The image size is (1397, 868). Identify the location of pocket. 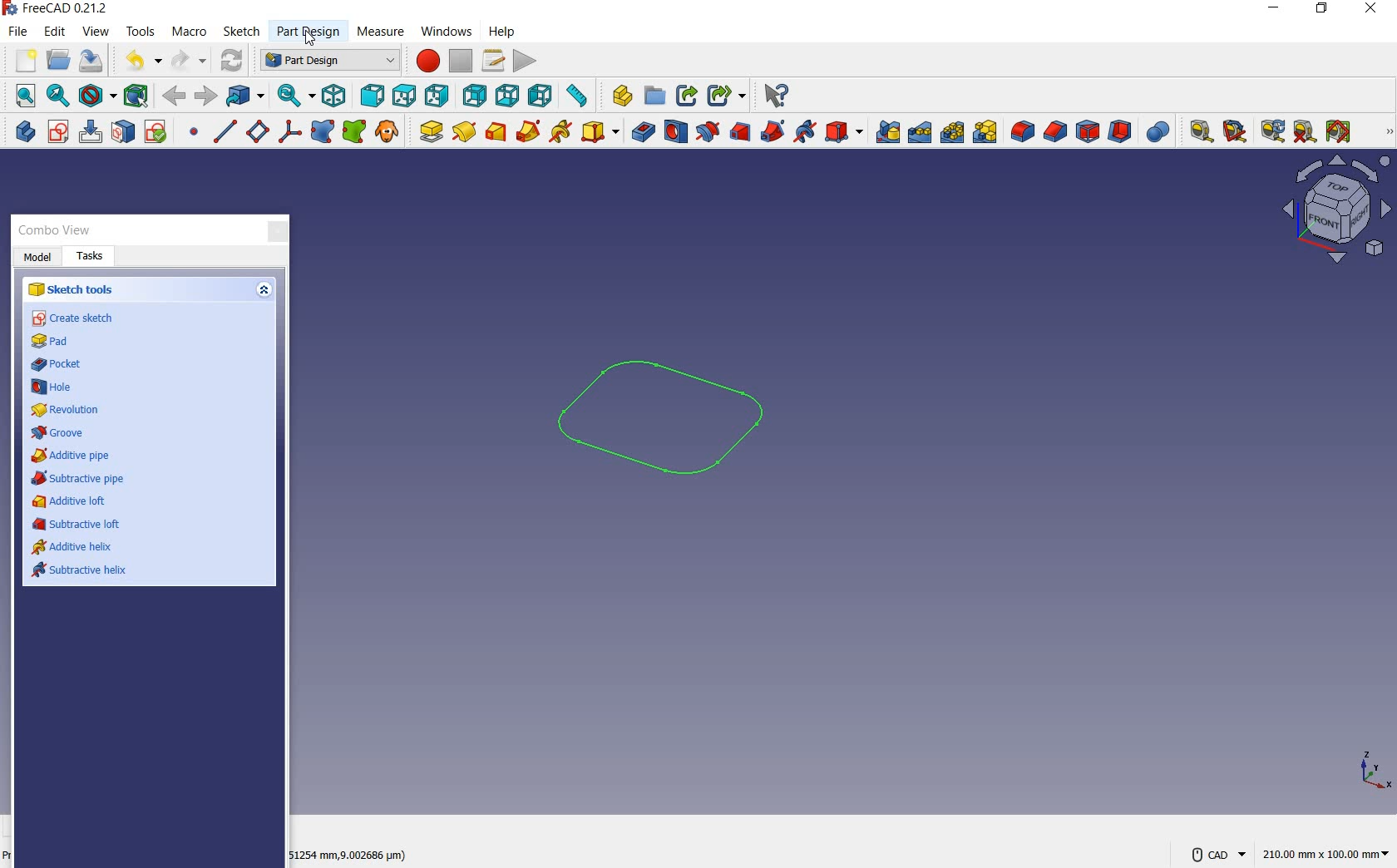
(62, 367).